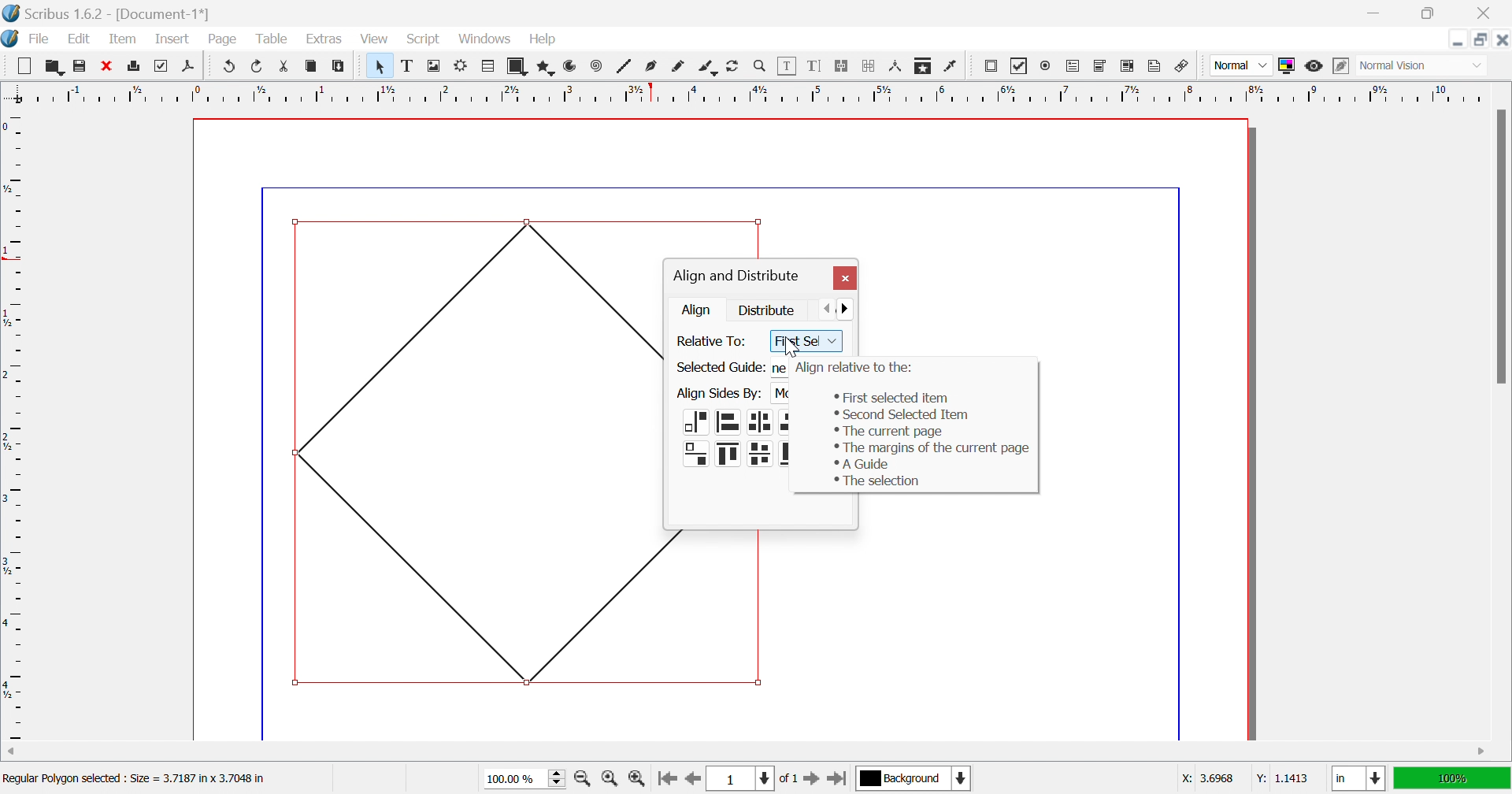 This screenshot has height=794, width=1512. I want to click on Open, so click(54, 65).